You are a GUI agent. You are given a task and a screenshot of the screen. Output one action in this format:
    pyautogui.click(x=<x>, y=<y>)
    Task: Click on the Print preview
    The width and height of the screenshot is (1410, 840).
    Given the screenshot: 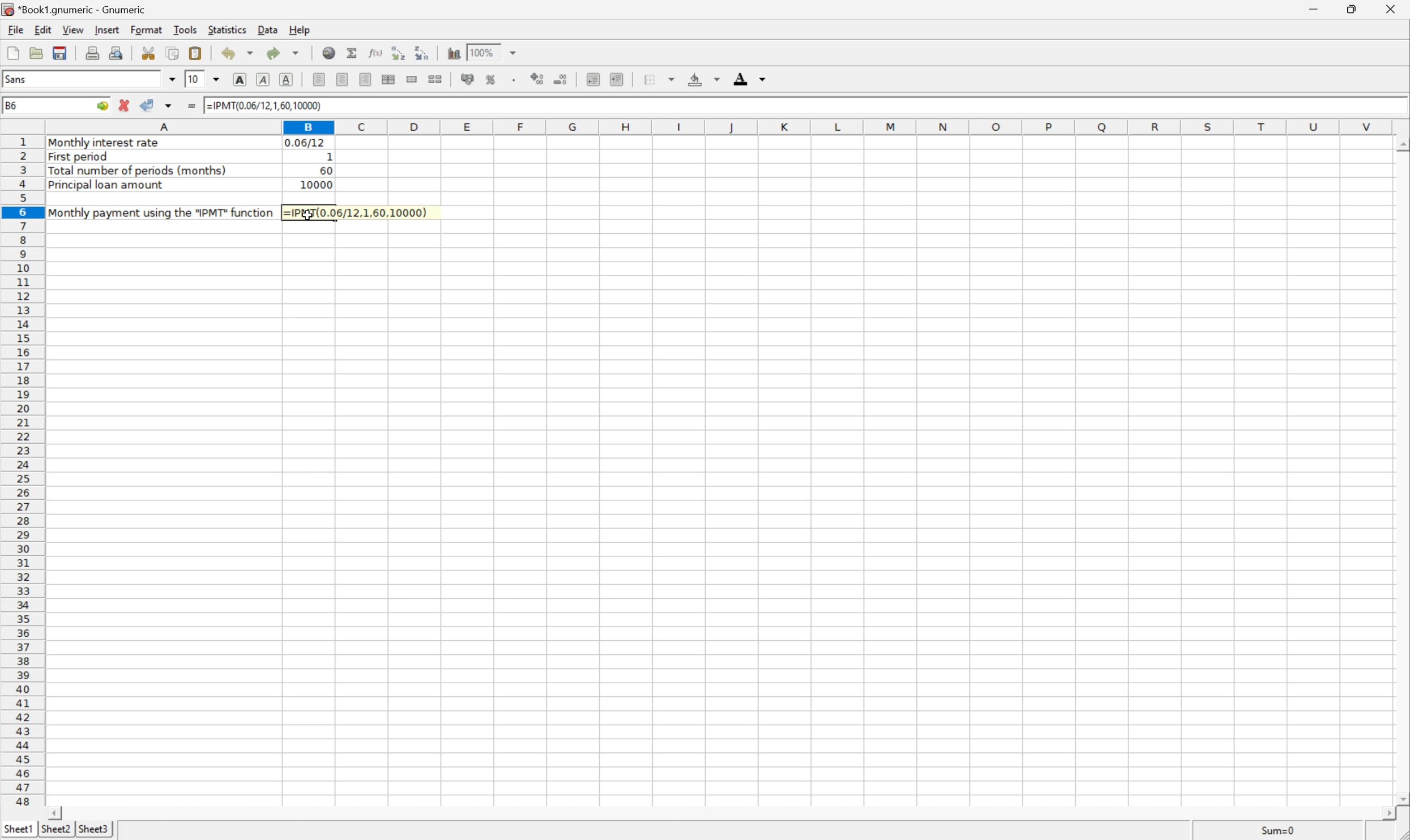 What is the action you would take?
    pyautogui.click(x=117, y=52)
    